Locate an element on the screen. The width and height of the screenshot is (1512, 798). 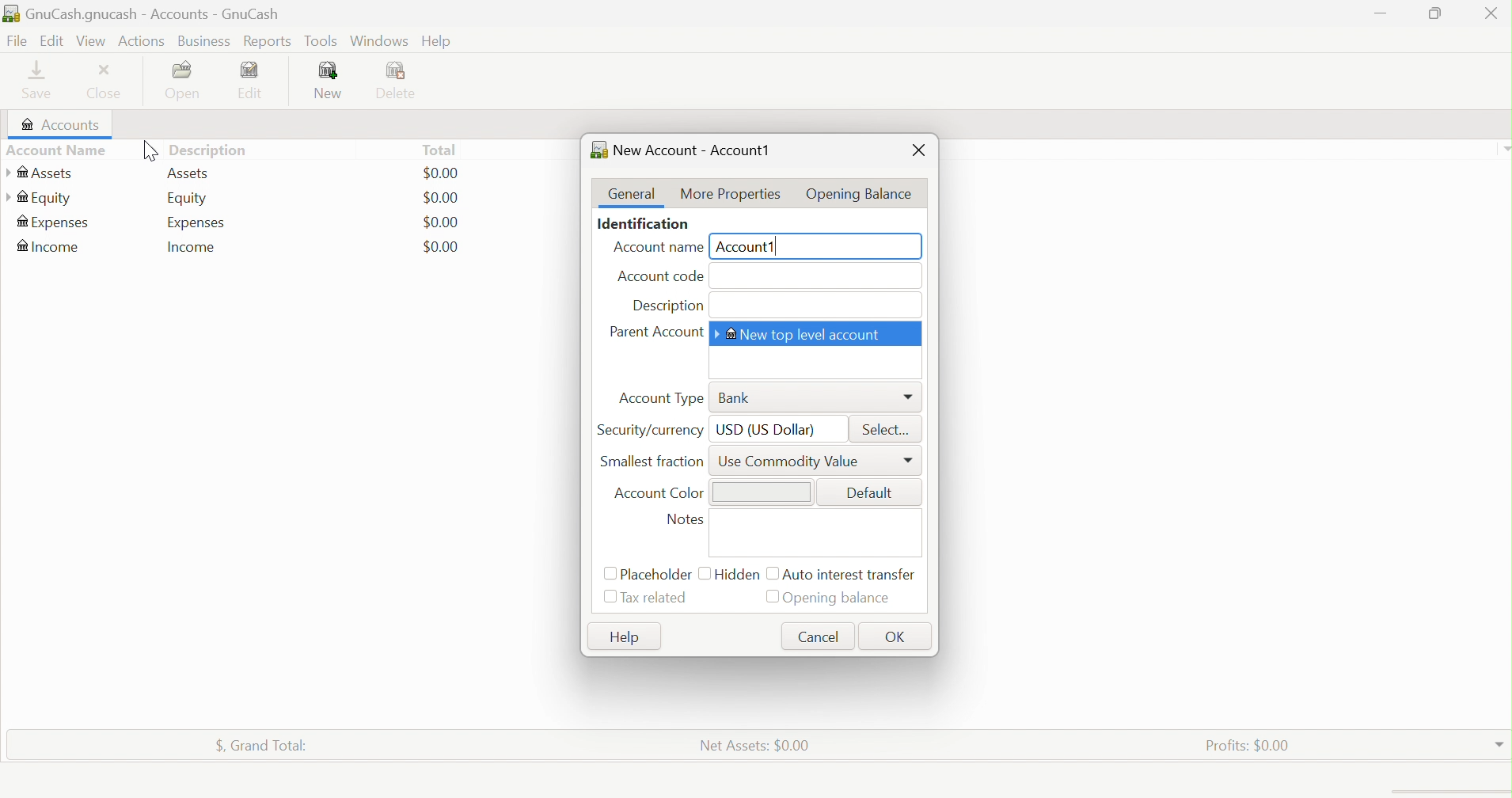
Net Assets: $0.00 is located at coordinates (754, 744).